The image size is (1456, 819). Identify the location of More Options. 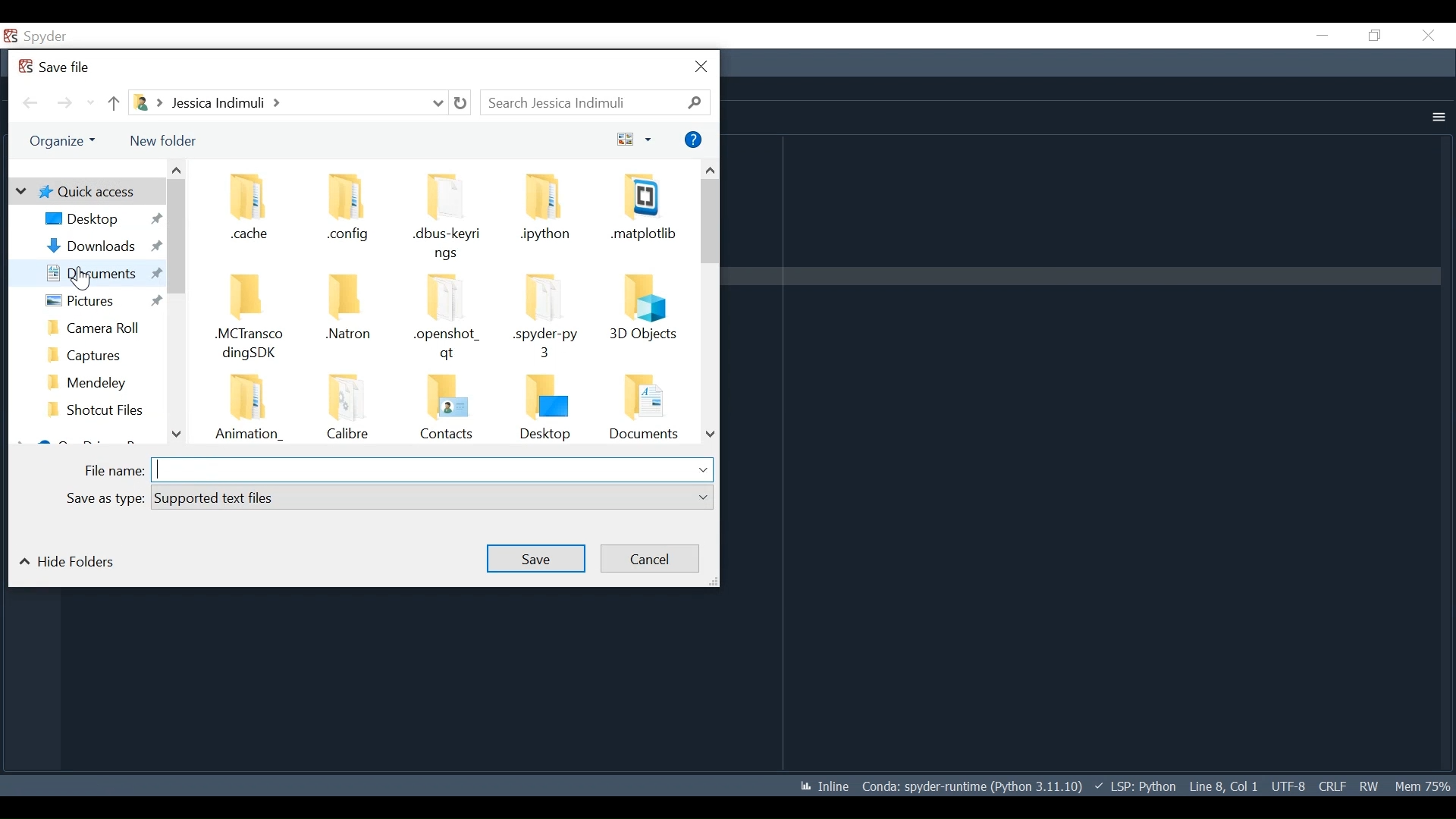
(1436, 118).